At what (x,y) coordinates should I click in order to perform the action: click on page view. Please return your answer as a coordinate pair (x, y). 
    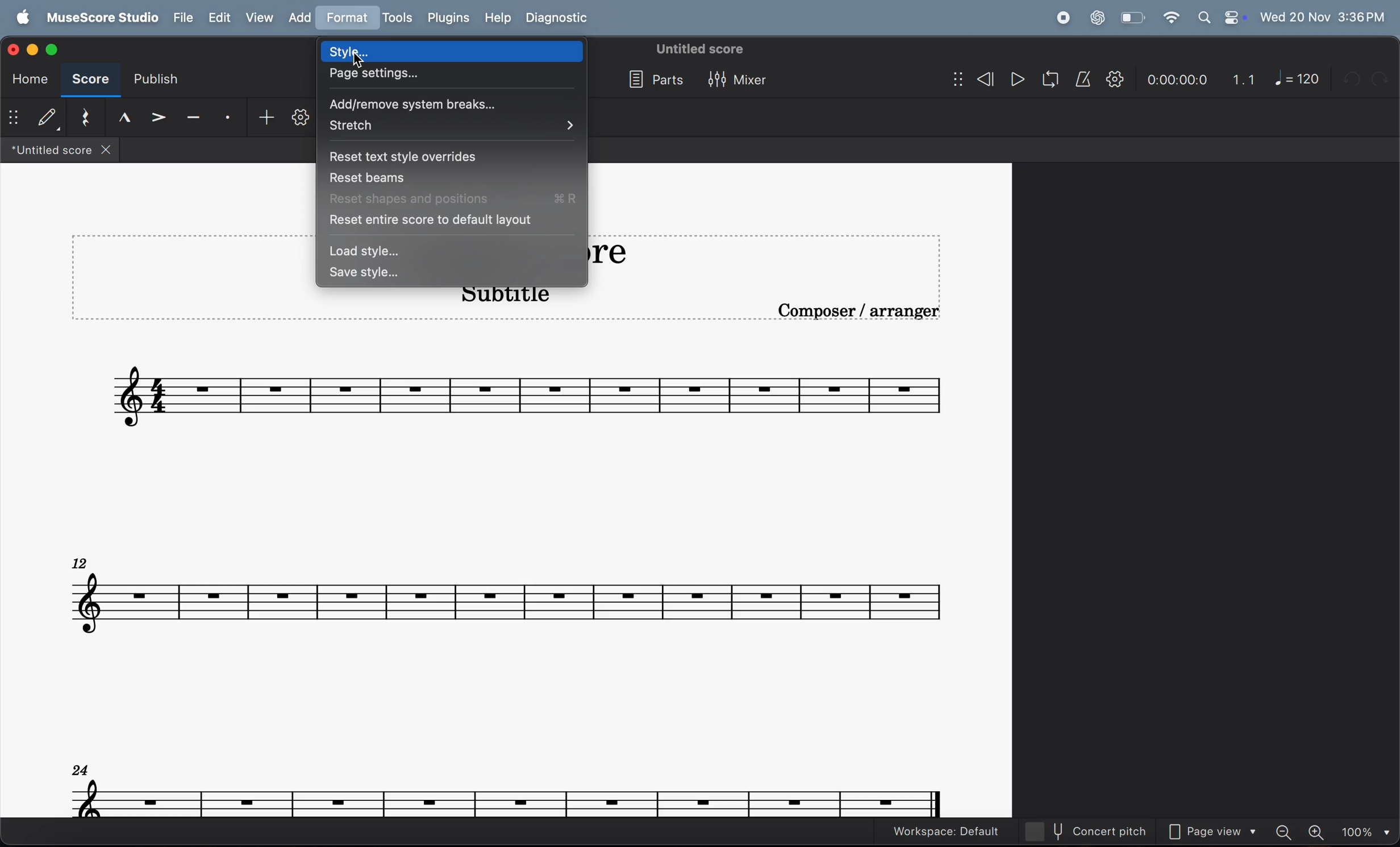
    Looking at the image, I should click on (1216, 833).